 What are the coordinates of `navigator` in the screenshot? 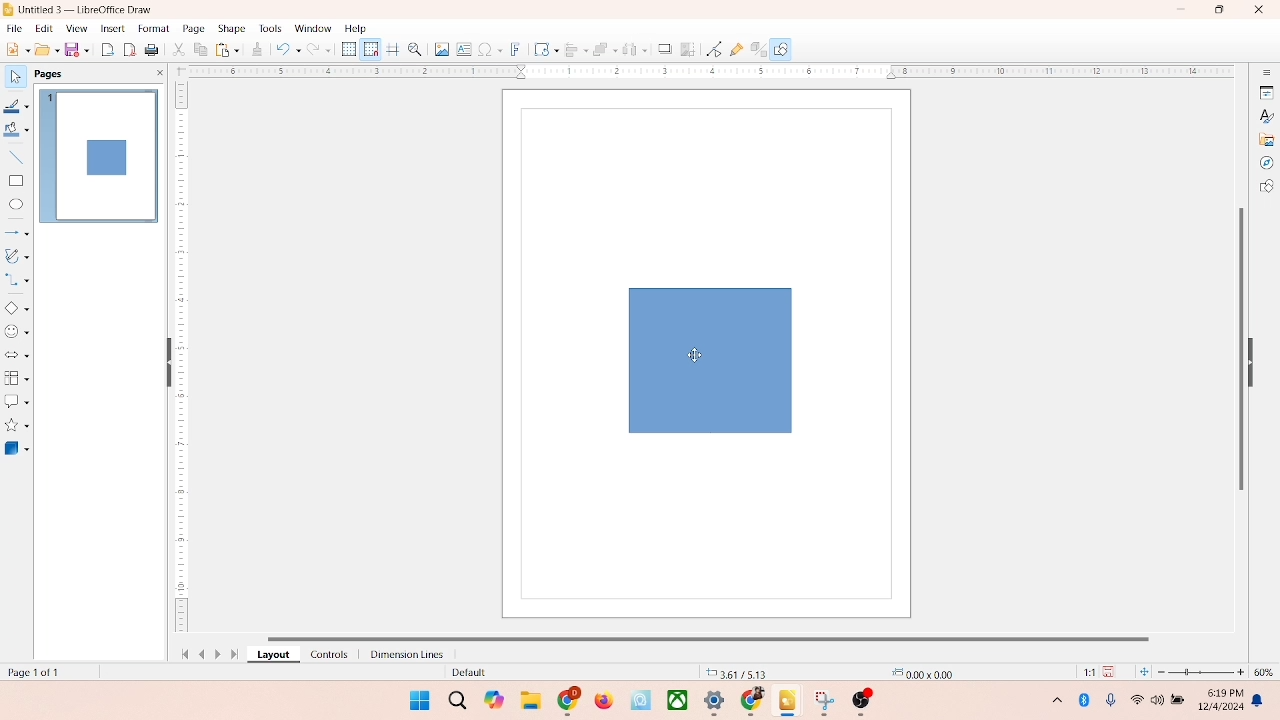 It's located at (1266, 163).